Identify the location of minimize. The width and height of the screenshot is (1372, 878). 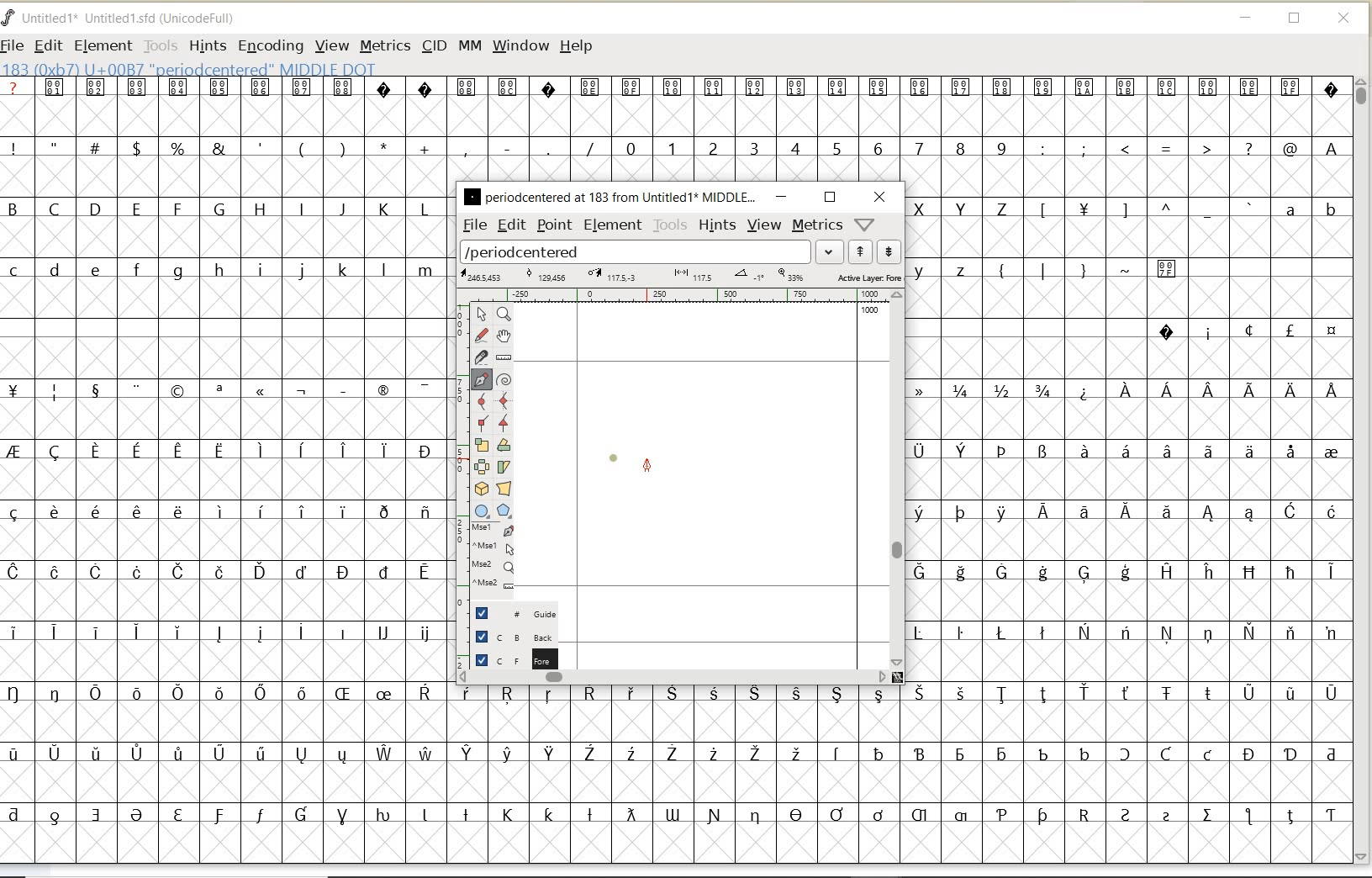
(781, 197).